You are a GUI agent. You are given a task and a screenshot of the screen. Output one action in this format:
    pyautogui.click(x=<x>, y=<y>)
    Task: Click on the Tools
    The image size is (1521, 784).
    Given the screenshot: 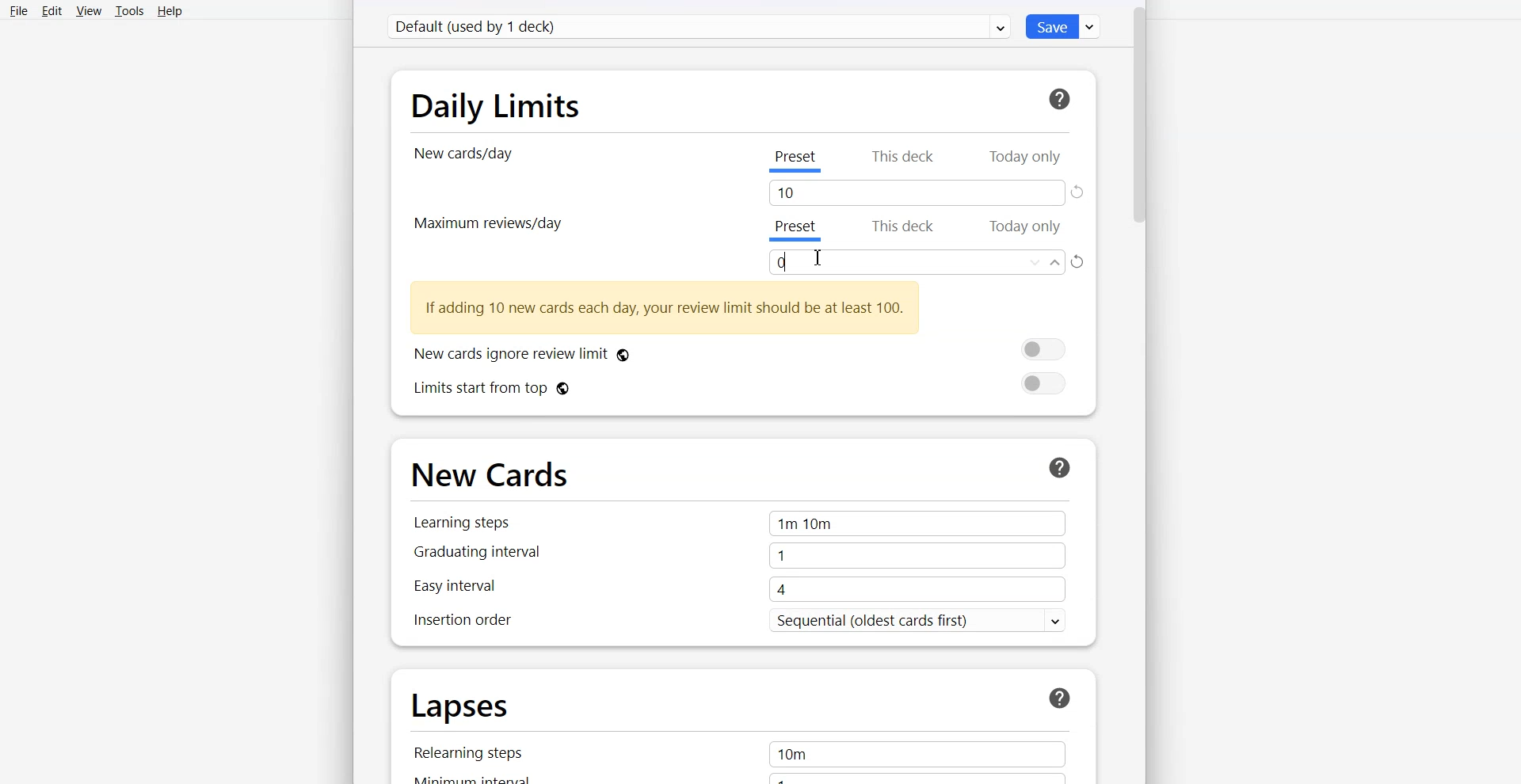 What is the action you would take?
    pyautogui.click(x=129, y=11)
    